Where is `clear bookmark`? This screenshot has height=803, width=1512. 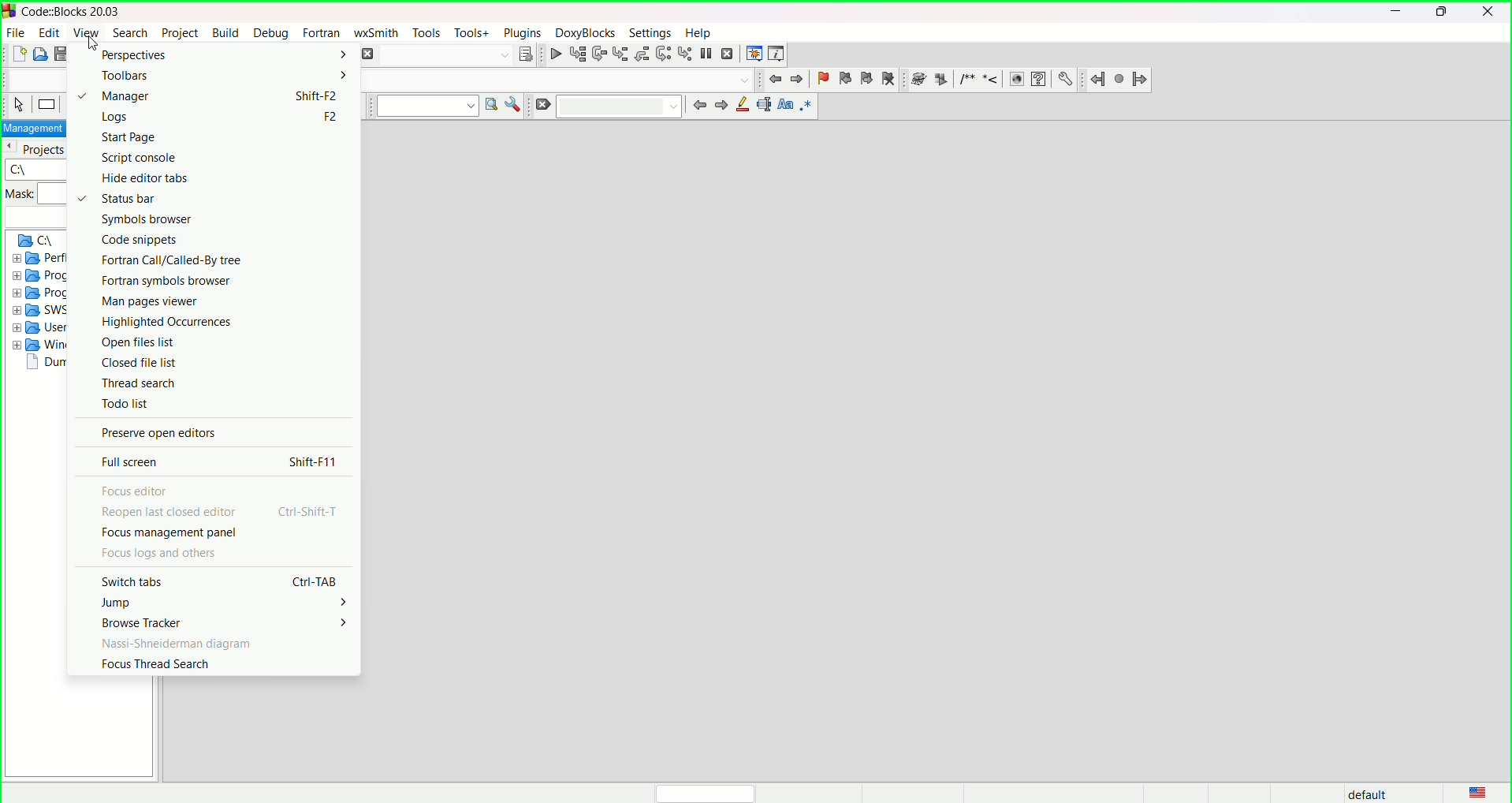 clear bookmark is located at coordinates (891, 77).